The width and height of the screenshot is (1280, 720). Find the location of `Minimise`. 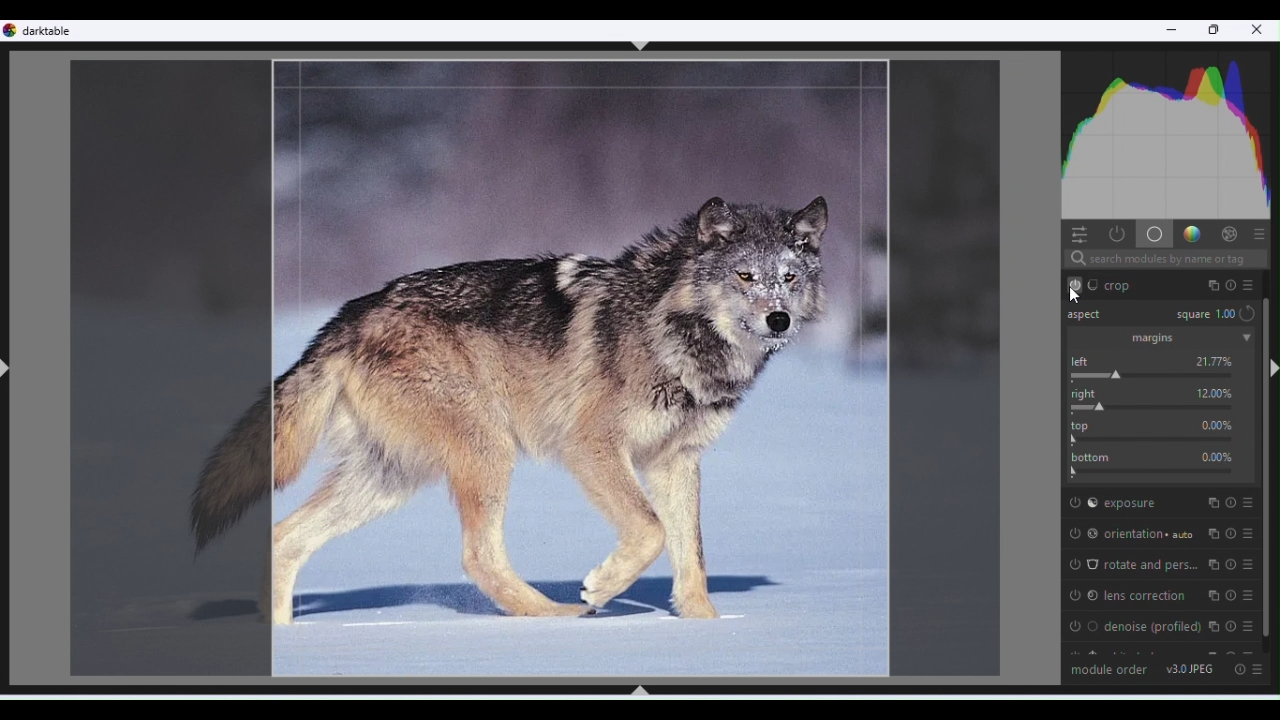

Minimise is located at coordinates (1171, 33).